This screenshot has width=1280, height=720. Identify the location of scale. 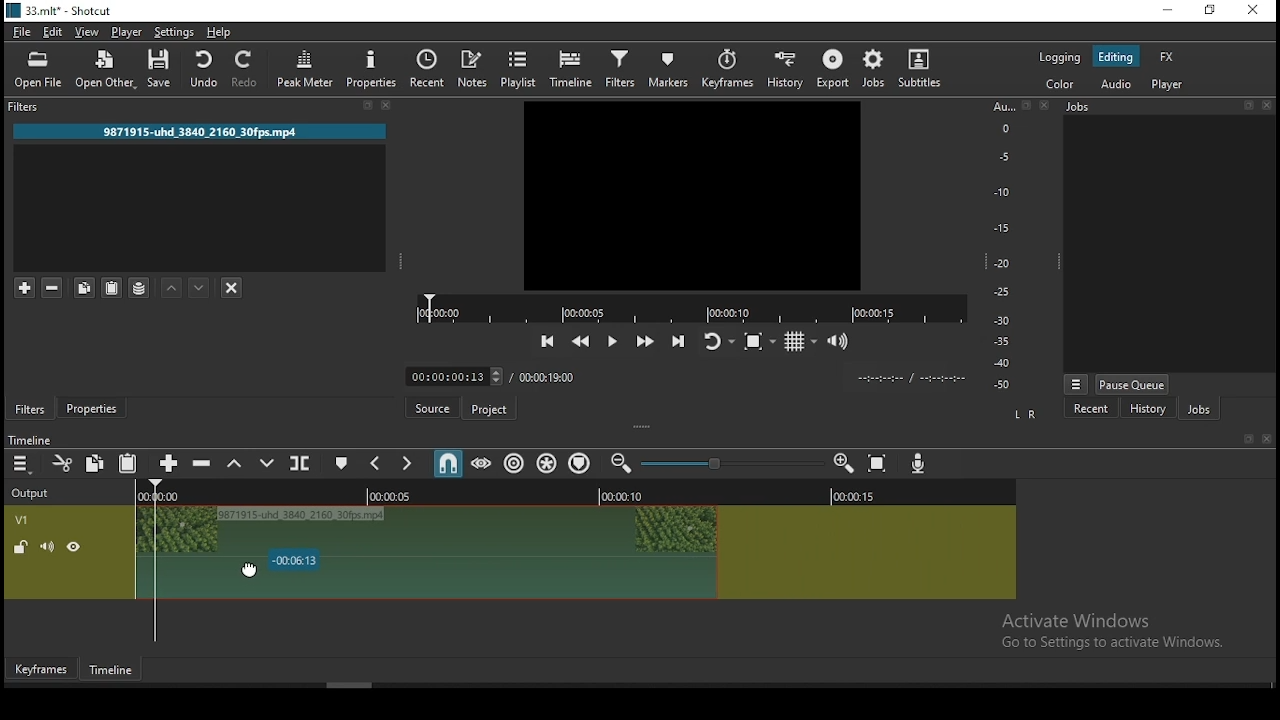
(1002, 246).